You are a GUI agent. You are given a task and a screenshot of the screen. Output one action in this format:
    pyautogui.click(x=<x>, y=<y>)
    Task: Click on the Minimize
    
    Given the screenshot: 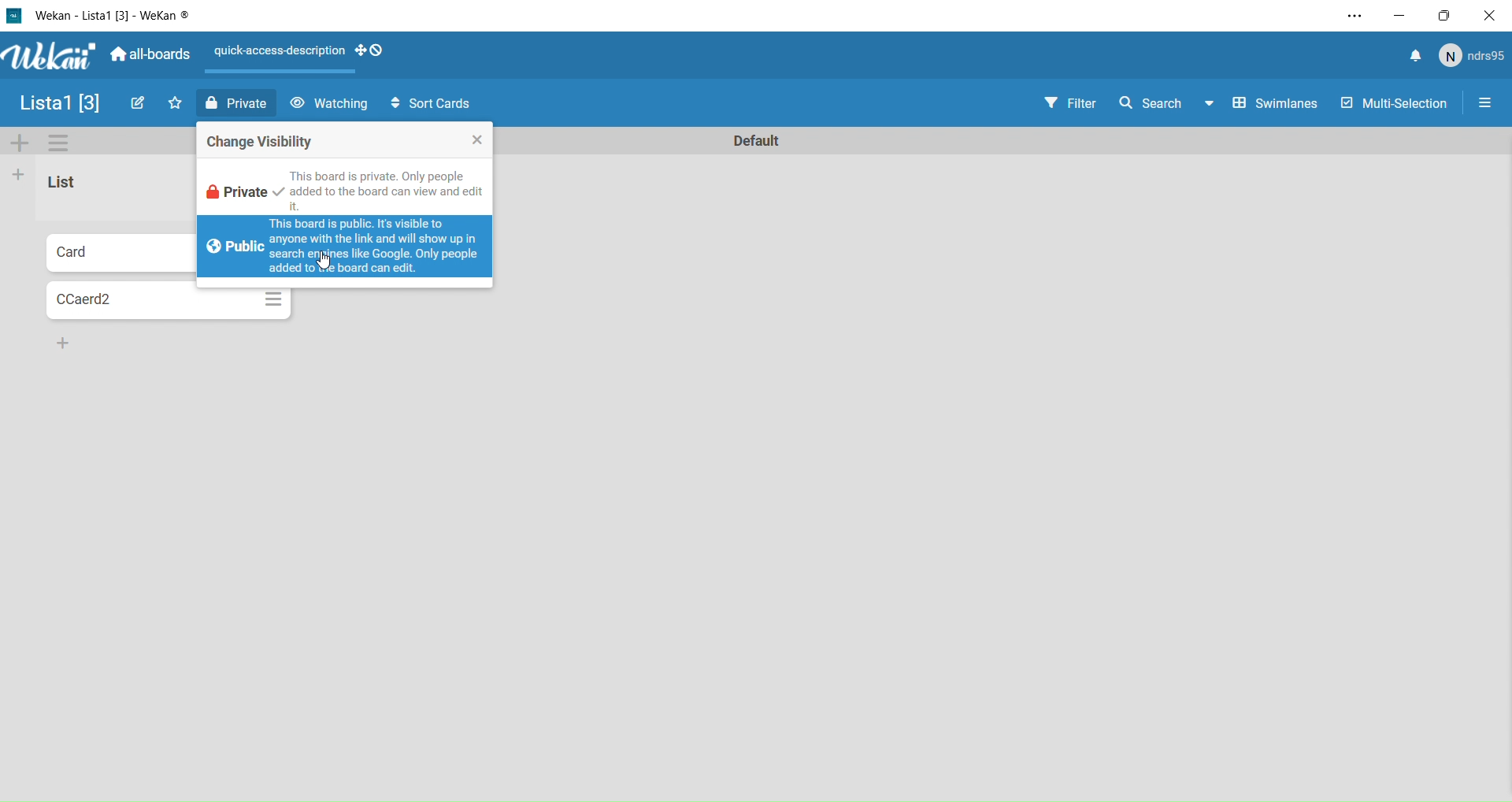 What is the action you would take?
    pyautogui.click(x=1399, y=13)
    